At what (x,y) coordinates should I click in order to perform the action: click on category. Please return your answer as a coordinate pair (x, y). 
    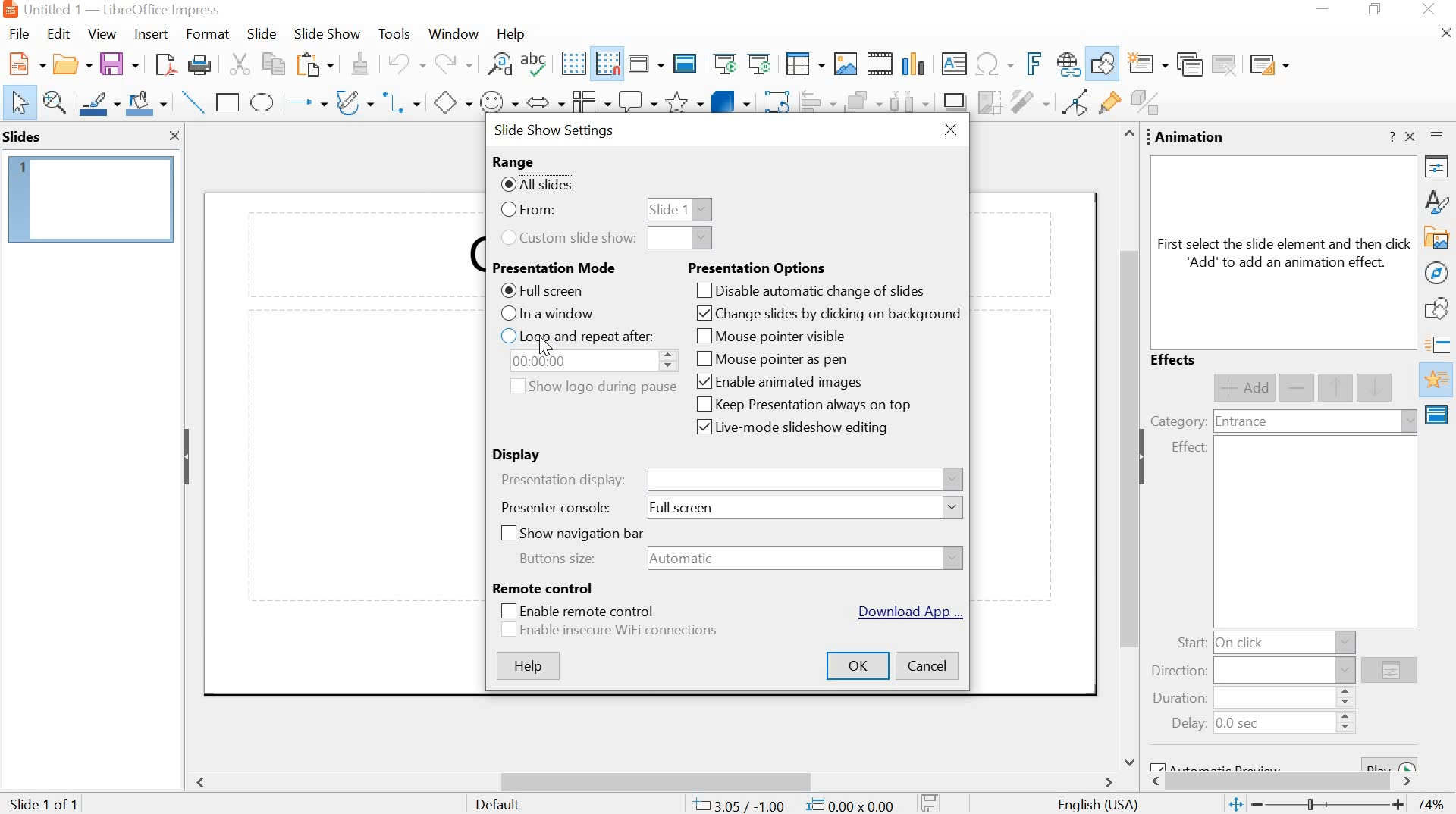
    Looking at the image, I should click on (1178, 421).